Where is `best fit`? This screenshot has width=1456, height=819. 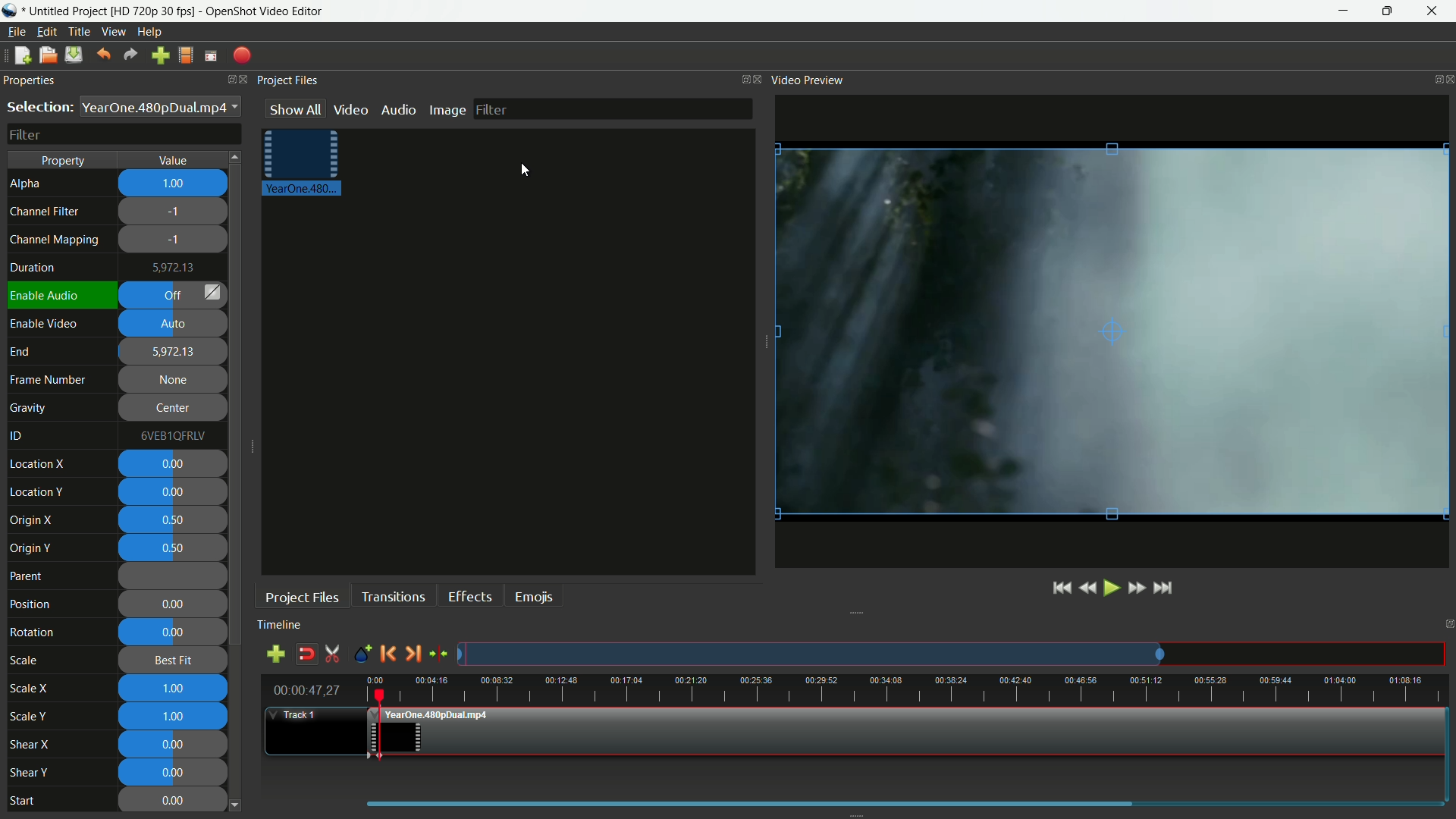 best fit is located at coordinates (169, 661).